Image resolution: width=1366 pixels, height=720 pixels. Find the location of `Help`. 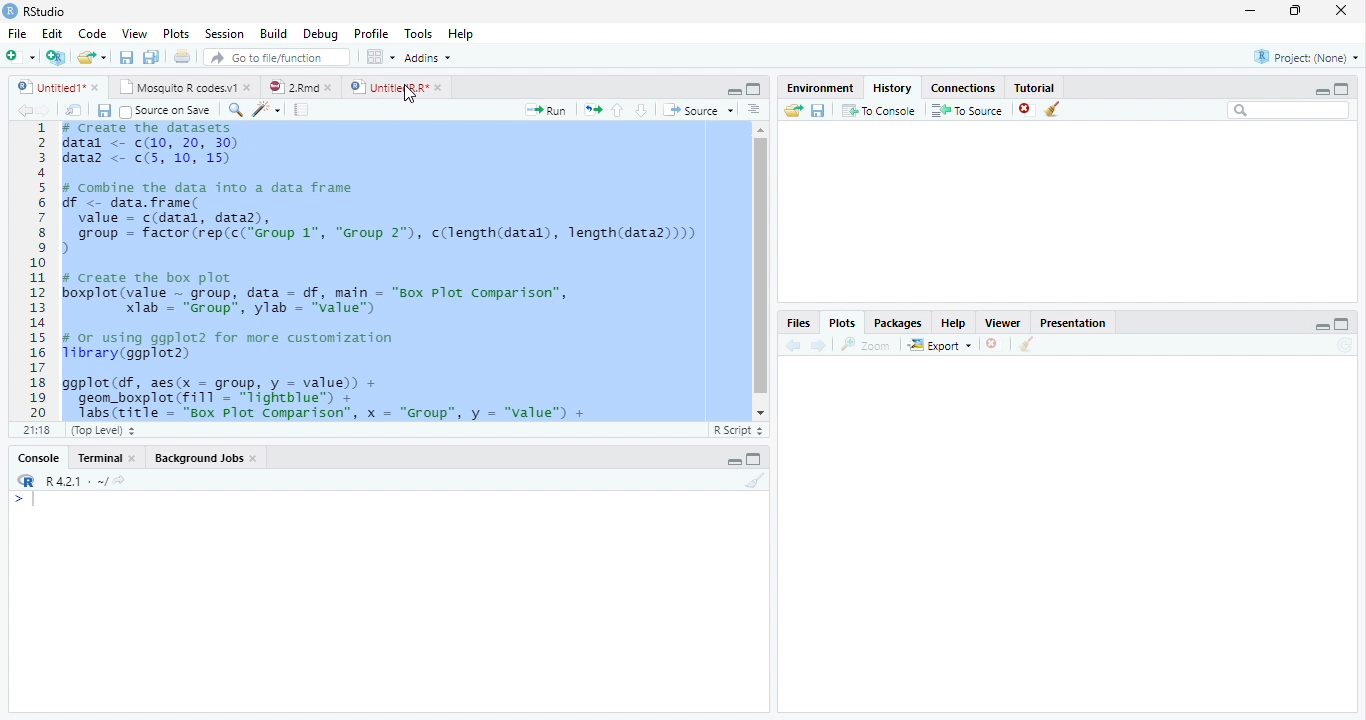

Help is located at coordinates (461, 33).